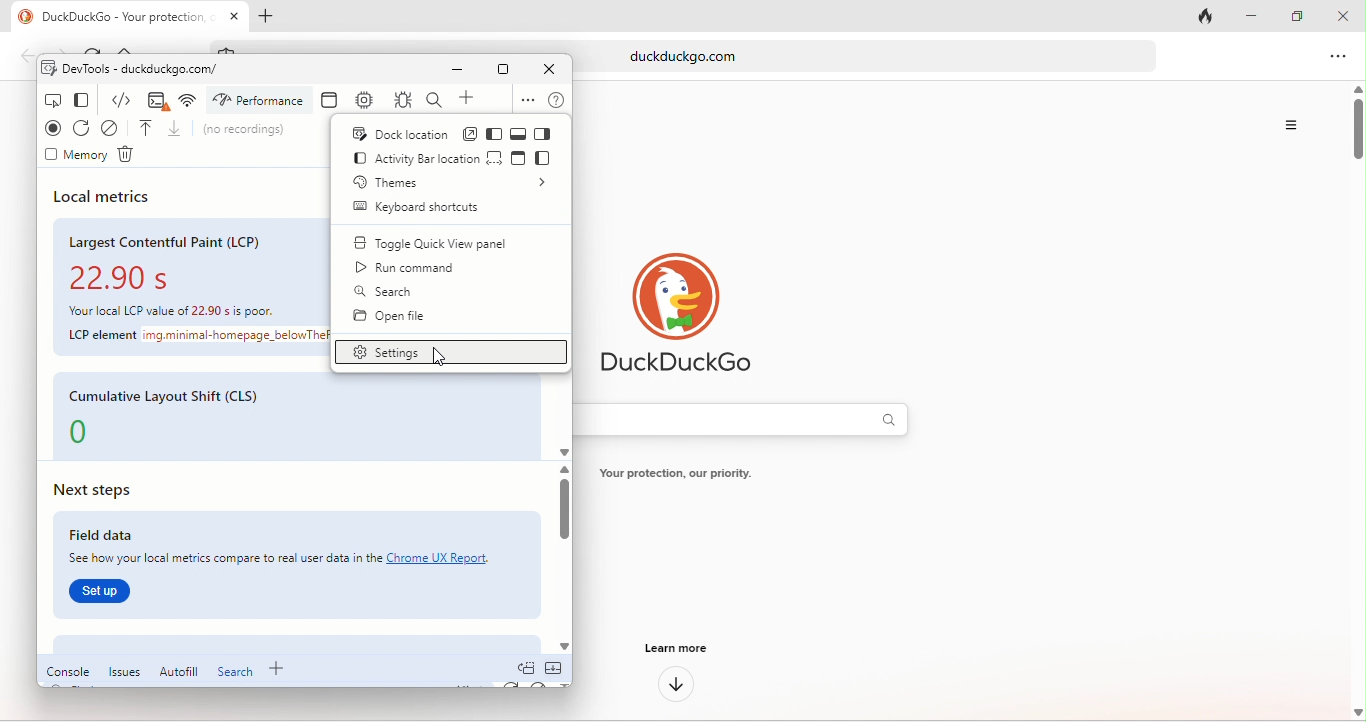 The image size is (1366, 722). What do you see at coordinates (52, 100) in the screenshot?
I see `inspect` at bounding box center [52, 100].